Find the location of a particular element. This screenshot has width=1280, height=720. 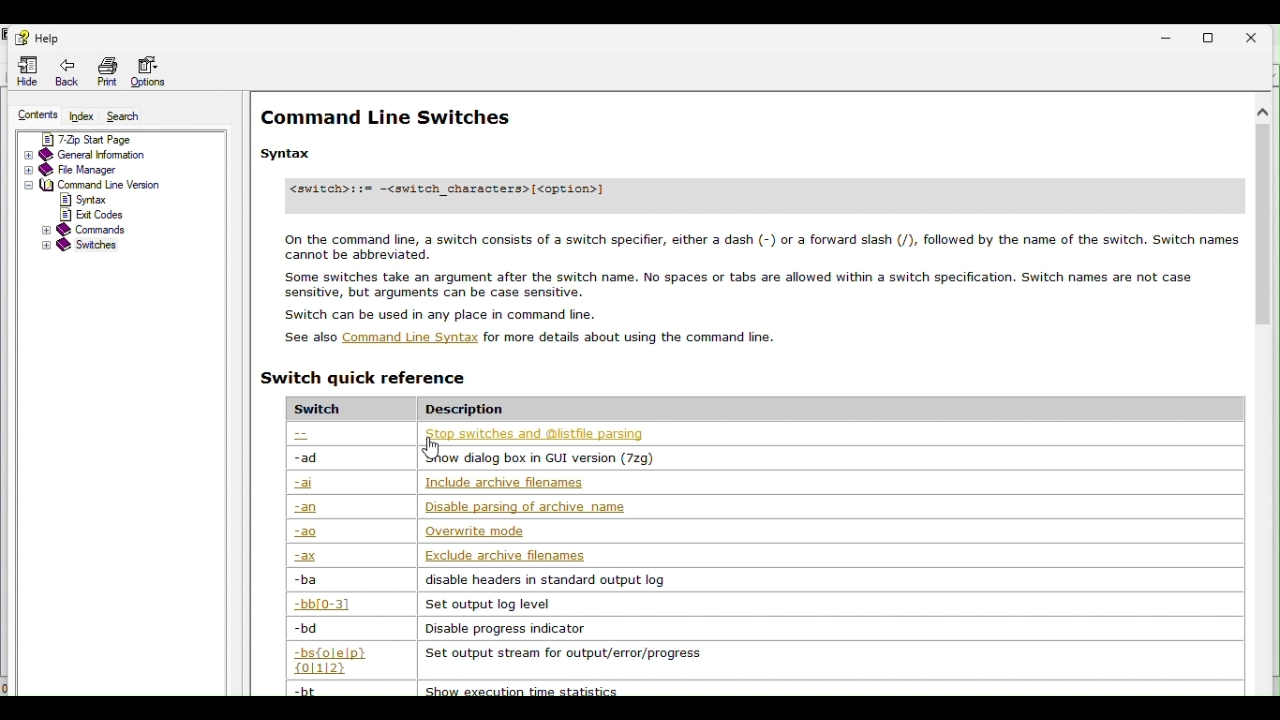

-ad is located at coordinates (309, 459).